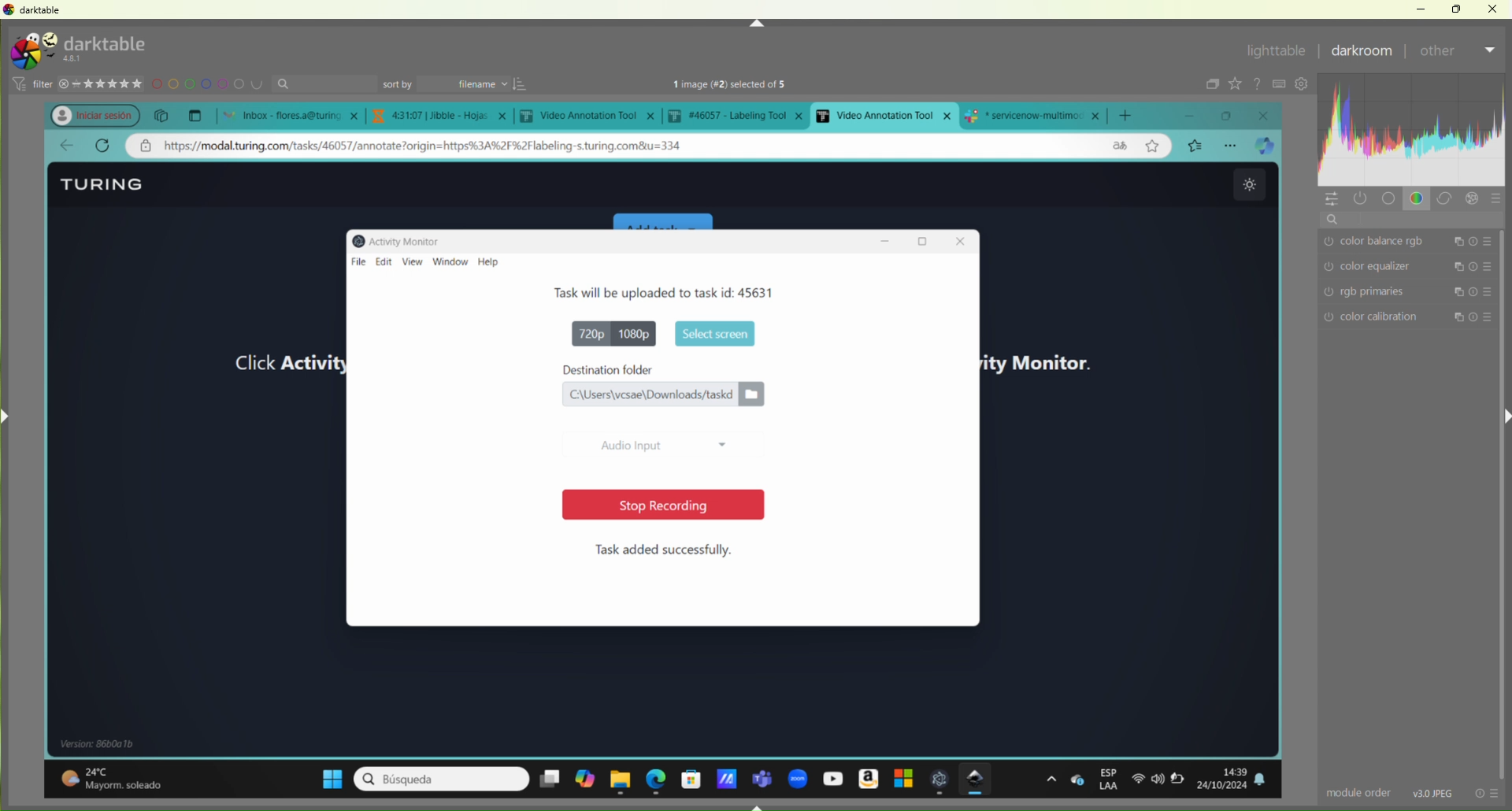  I want to click on refresh, so click(102, 146).